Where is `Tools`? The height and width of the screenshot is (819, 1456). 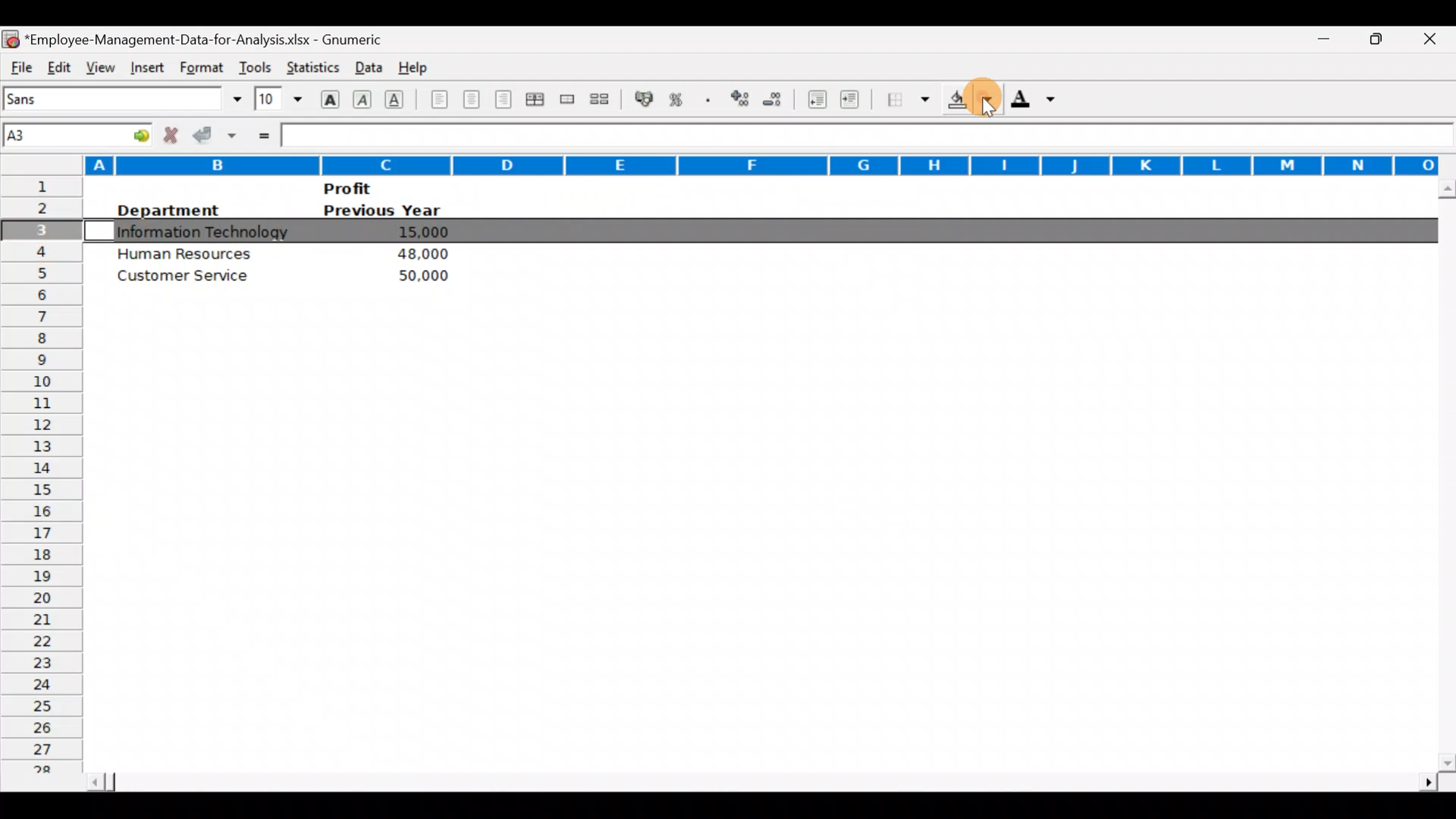 Tools is located at coordinates (255, 64).